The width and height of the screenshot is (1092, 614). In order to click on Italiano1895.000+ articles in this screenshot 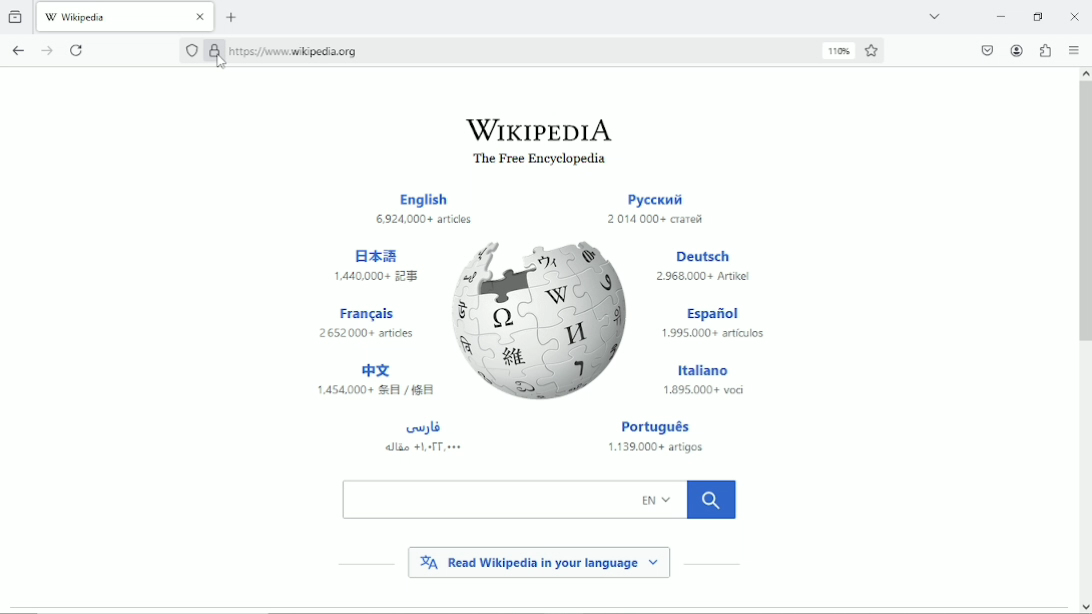, I will do `click(704, 377)`.